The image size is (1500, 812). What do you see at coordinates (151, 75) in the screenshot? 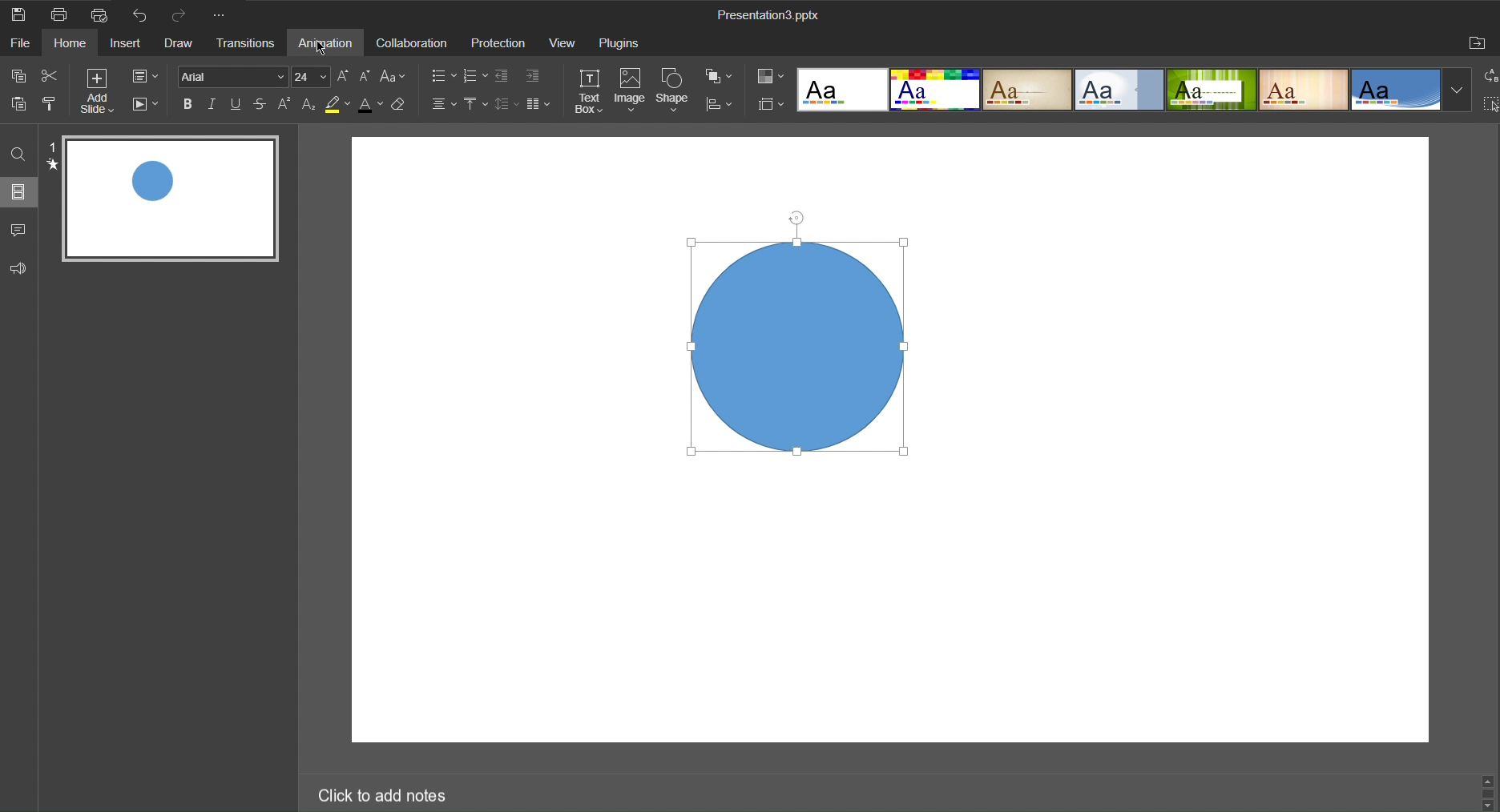
I see `Slide Settings` at bounding box center [151, 75].